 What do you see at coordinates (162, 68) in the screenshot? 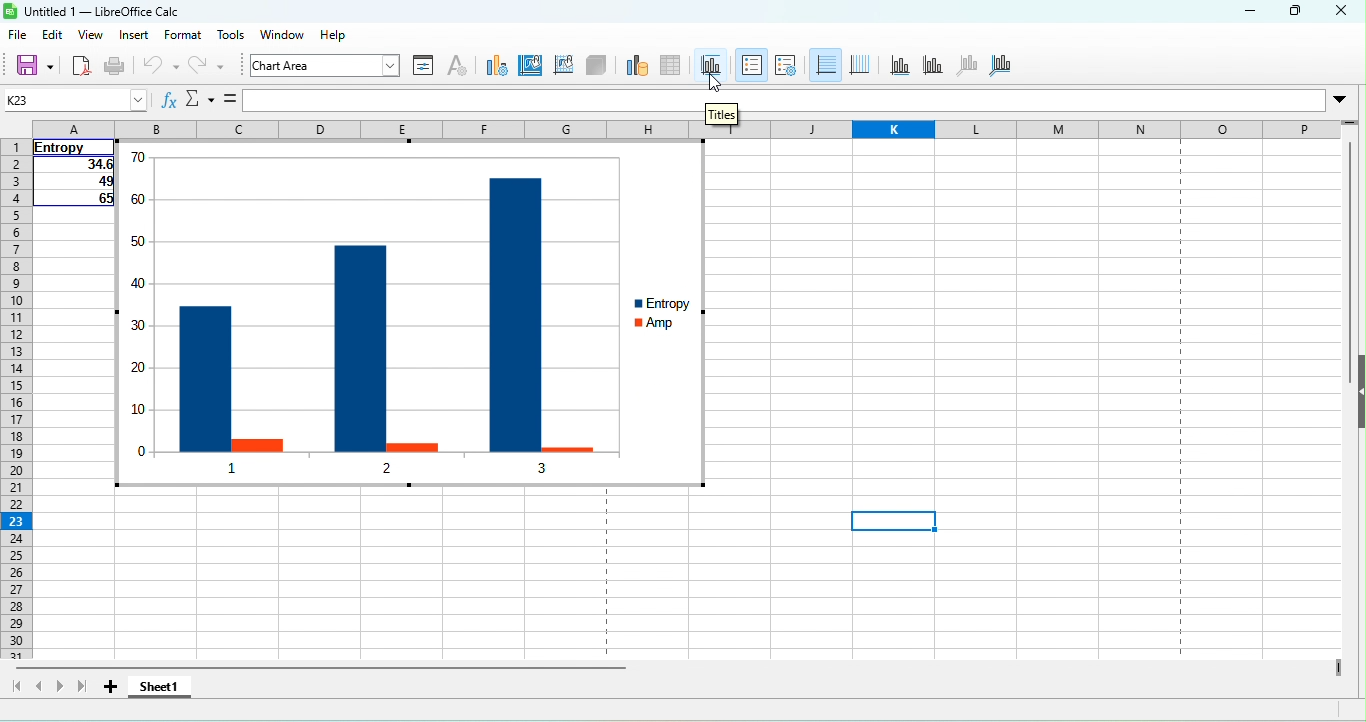
I see `undo` at bounding box center [162, 68].